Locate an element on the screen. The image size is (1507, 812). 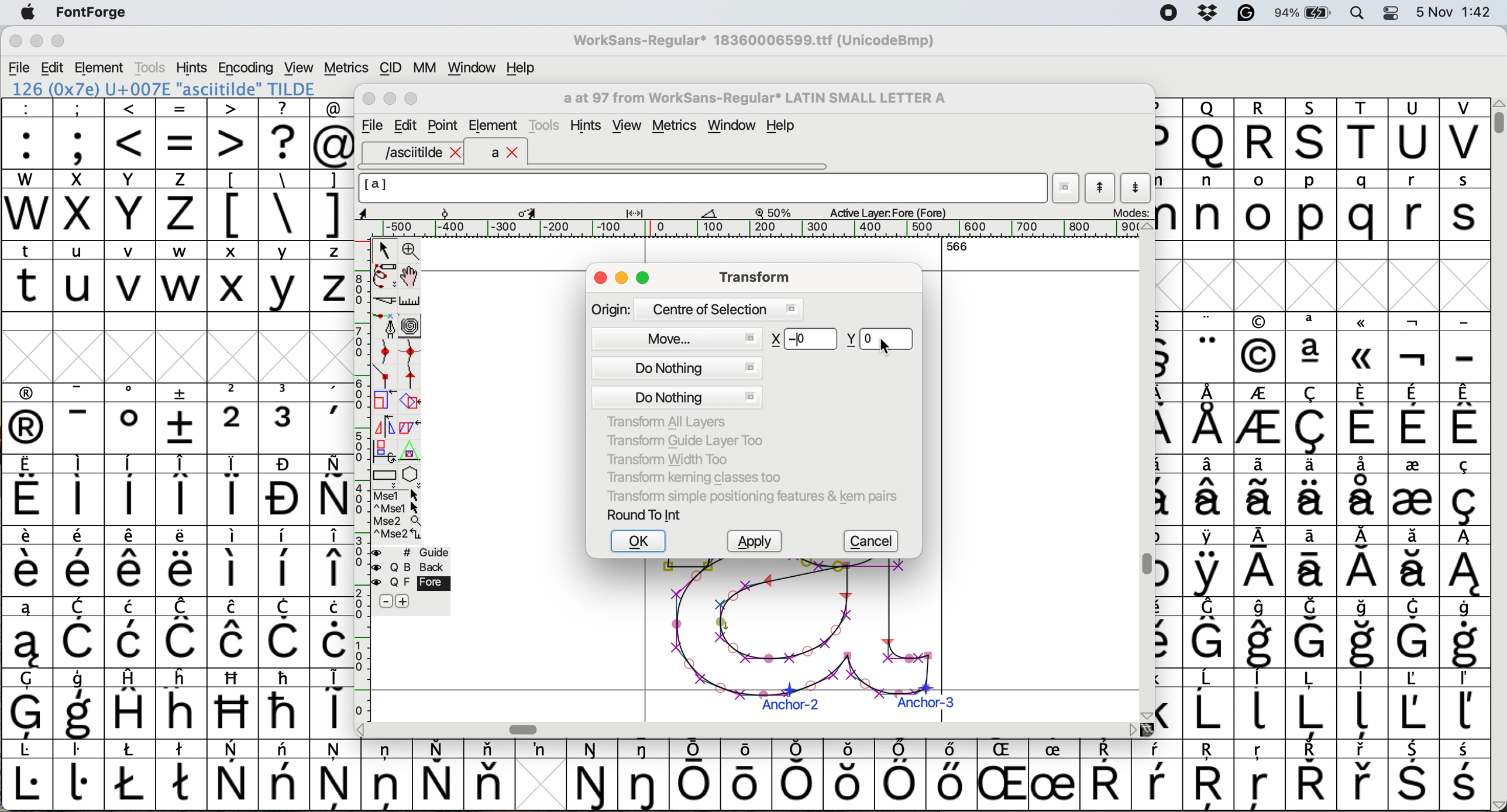
file is located at coordinates (370, 126).